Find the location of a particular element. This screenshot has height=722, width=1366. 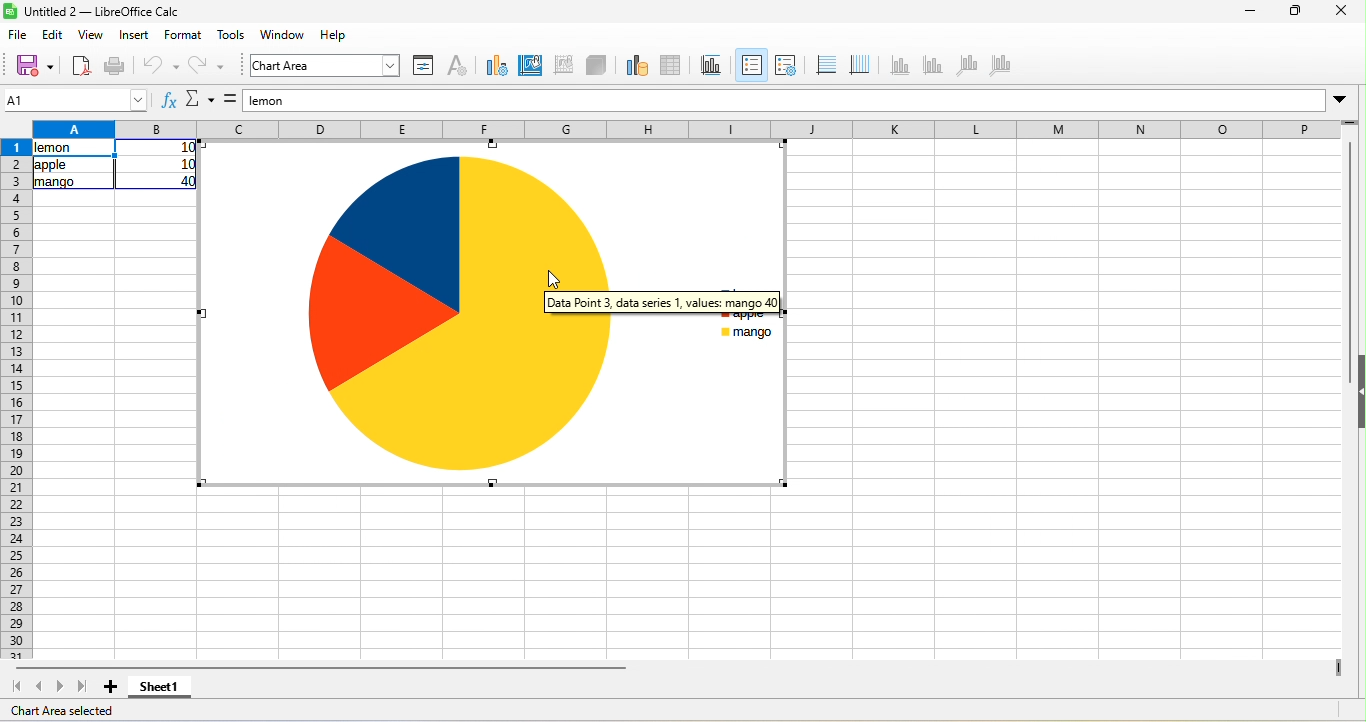

close is located at coordinates (1337, 13).